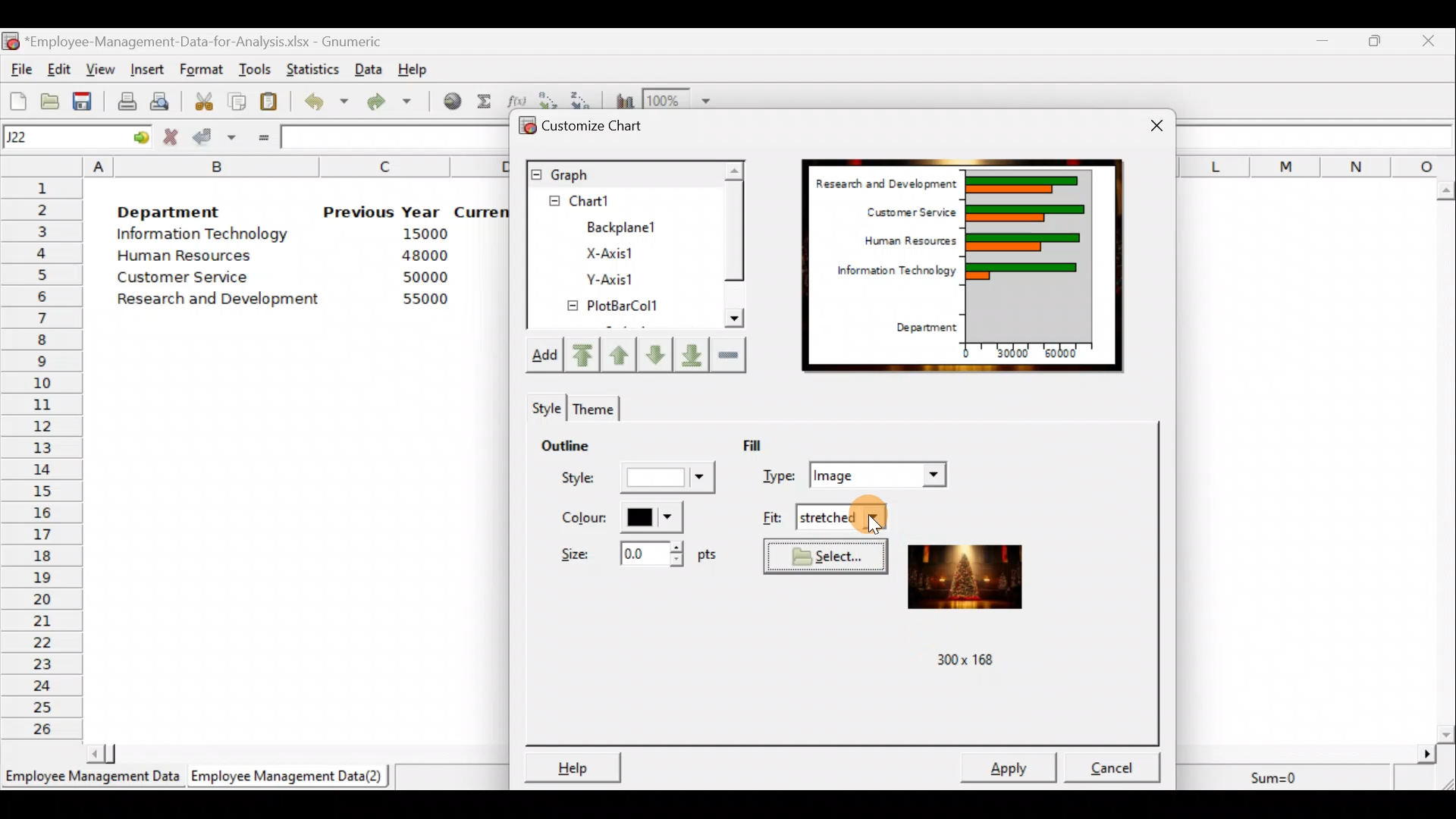  What do you see at coordinates (587, 448) in the screenshot?
I see `Outline` at bounding box center [587, 448].